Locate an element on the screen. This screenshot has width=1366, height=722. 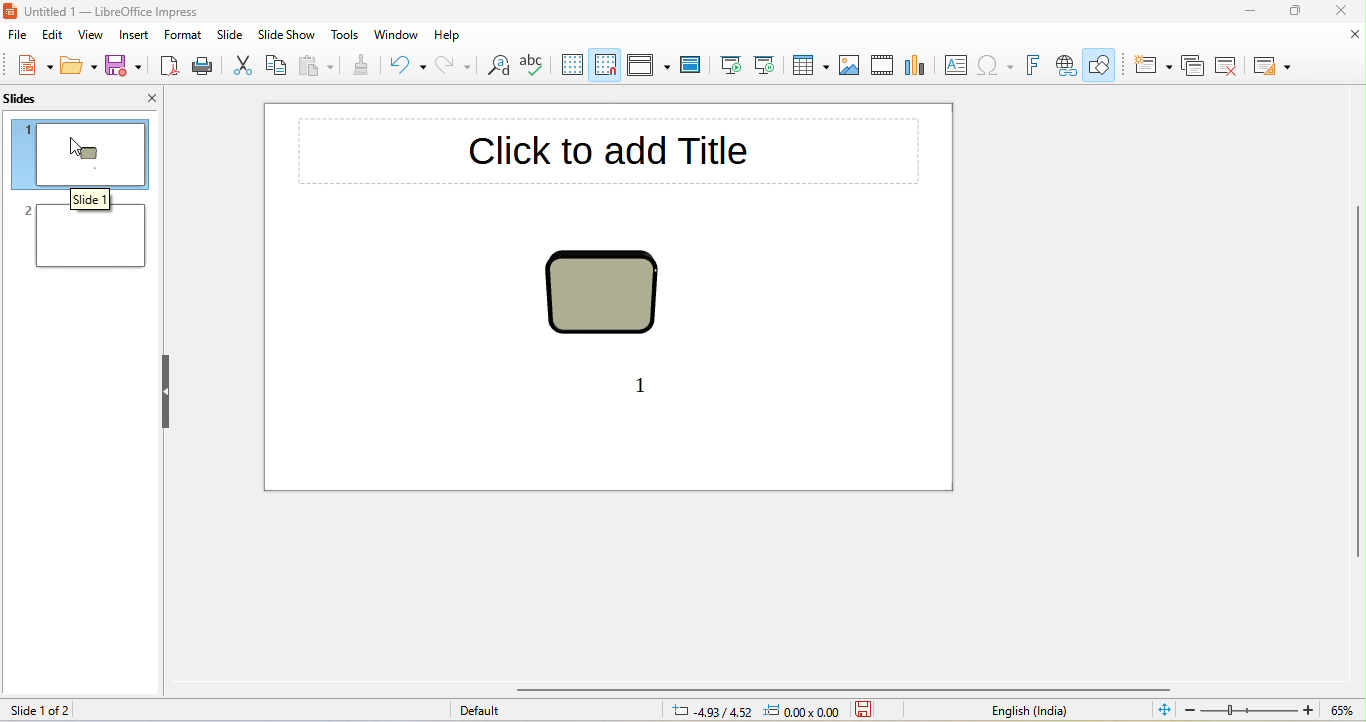
undo is located at coordinates (409, 67).